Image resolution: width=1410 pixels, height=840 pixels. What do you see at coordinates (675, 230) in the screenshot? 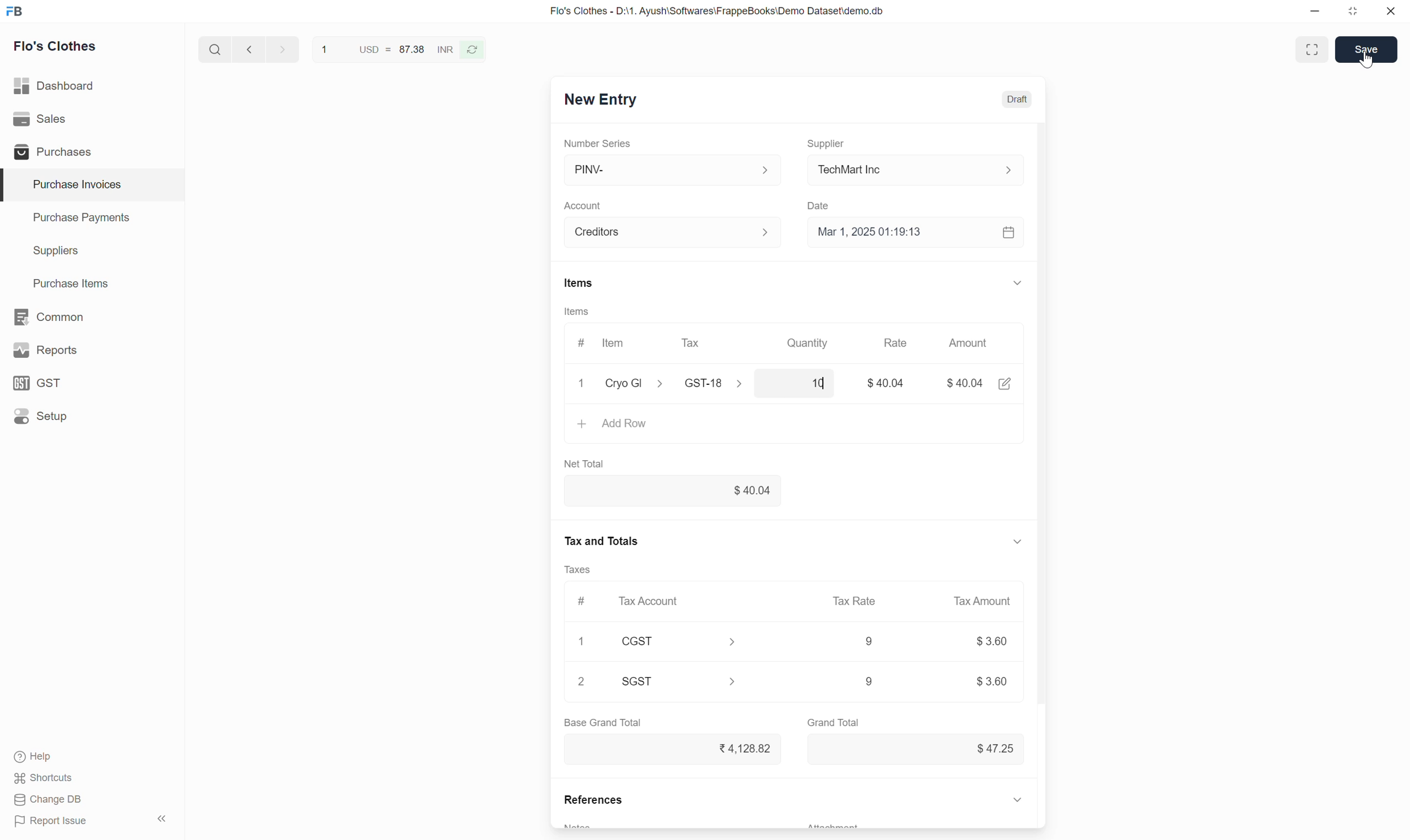
I see `Account ` at bounding box center [675, 230].